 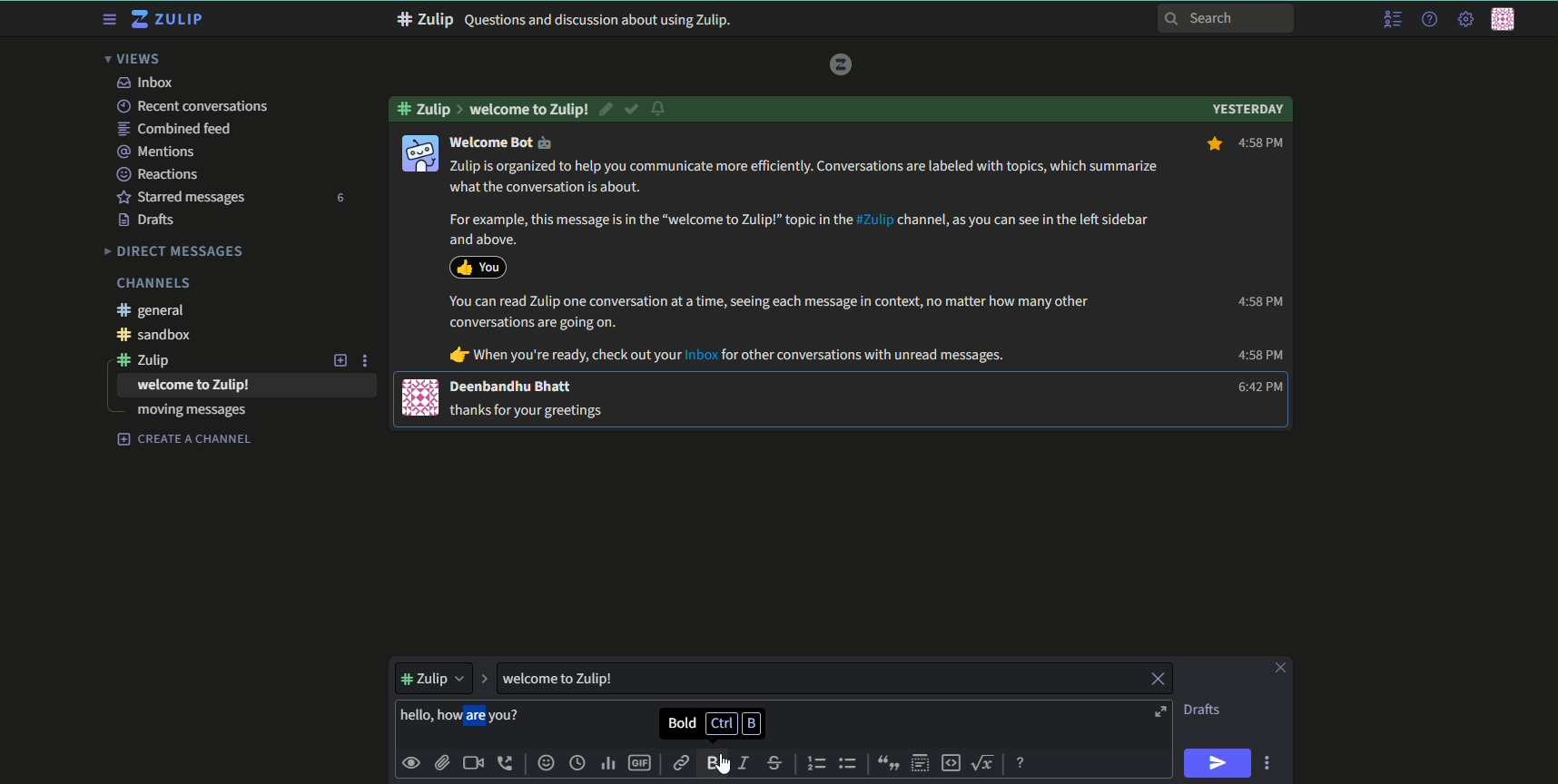 I want to click on icon, so click(x=478, y=266).